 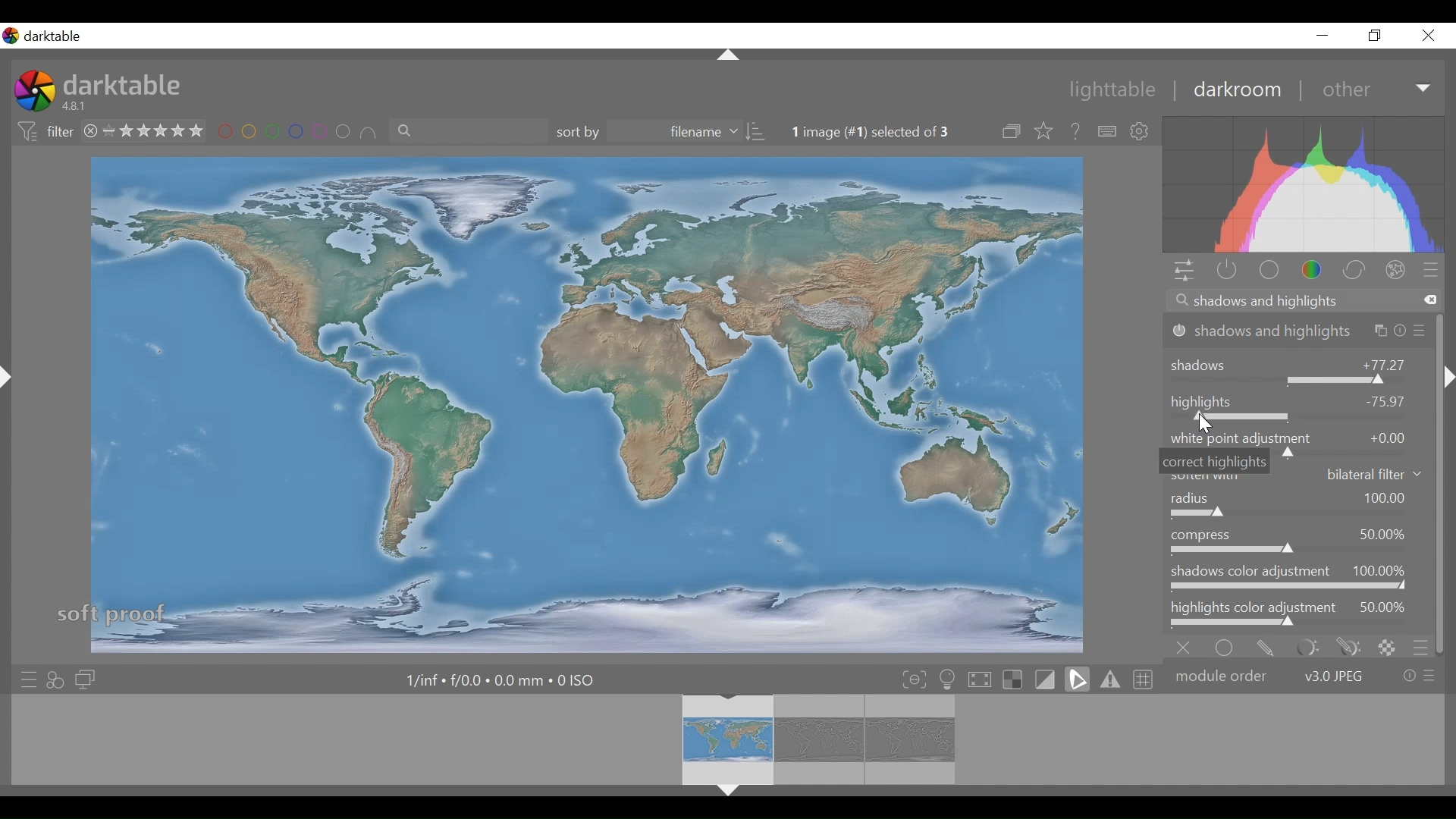 I want to click on define shortcut, so click(x=1106, y=131).